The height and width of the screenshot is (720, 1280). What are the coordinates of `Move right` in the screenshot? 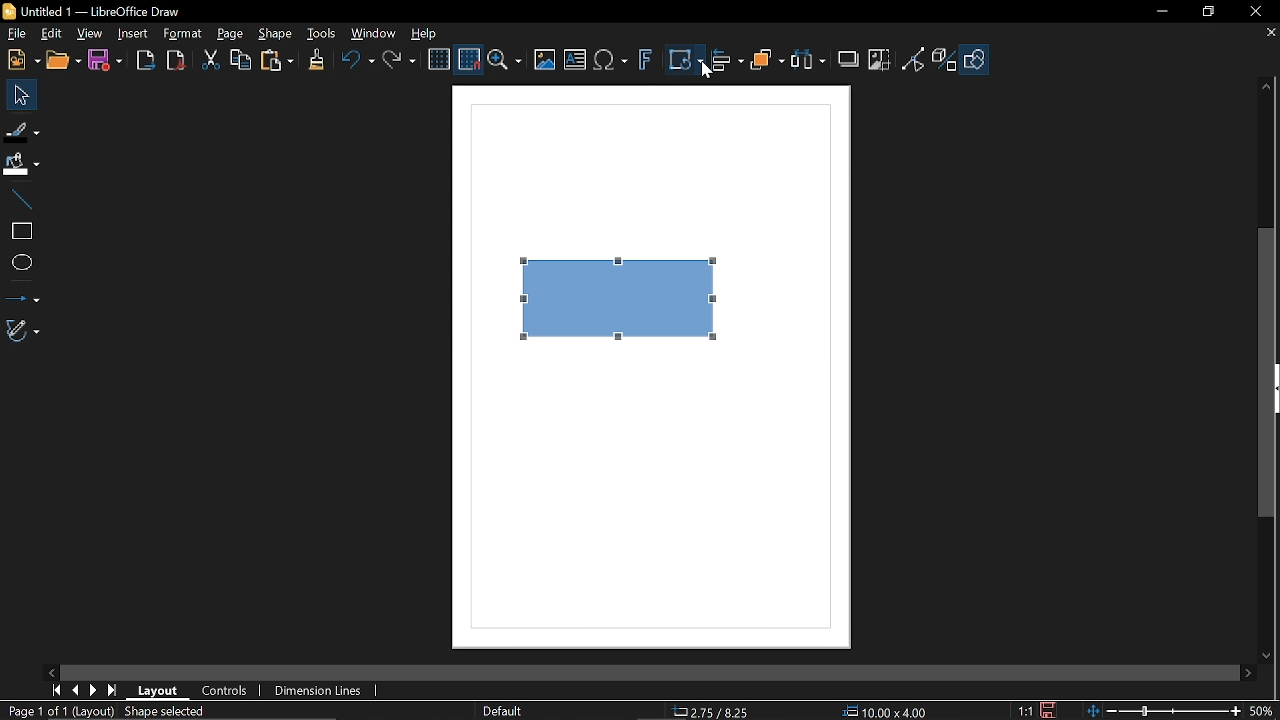 It's located at (1250, 674).